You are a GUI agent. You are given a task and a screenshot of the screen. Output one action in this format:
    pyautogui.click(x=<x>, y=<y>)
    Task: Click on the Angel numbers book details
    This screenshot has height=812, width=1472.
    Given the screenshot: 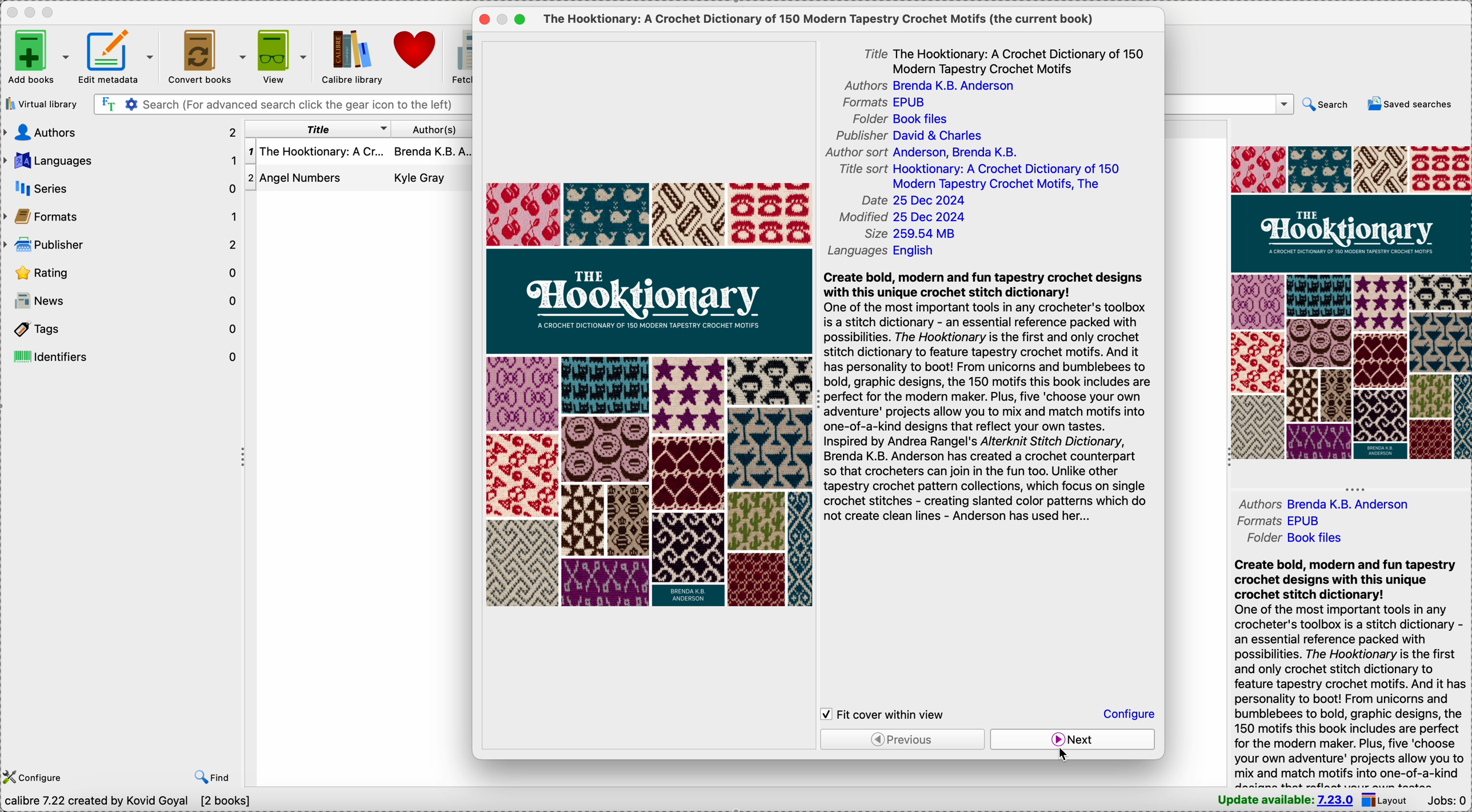 What is the action you would take?
    pyautogui.click(x=359, y=178)
    